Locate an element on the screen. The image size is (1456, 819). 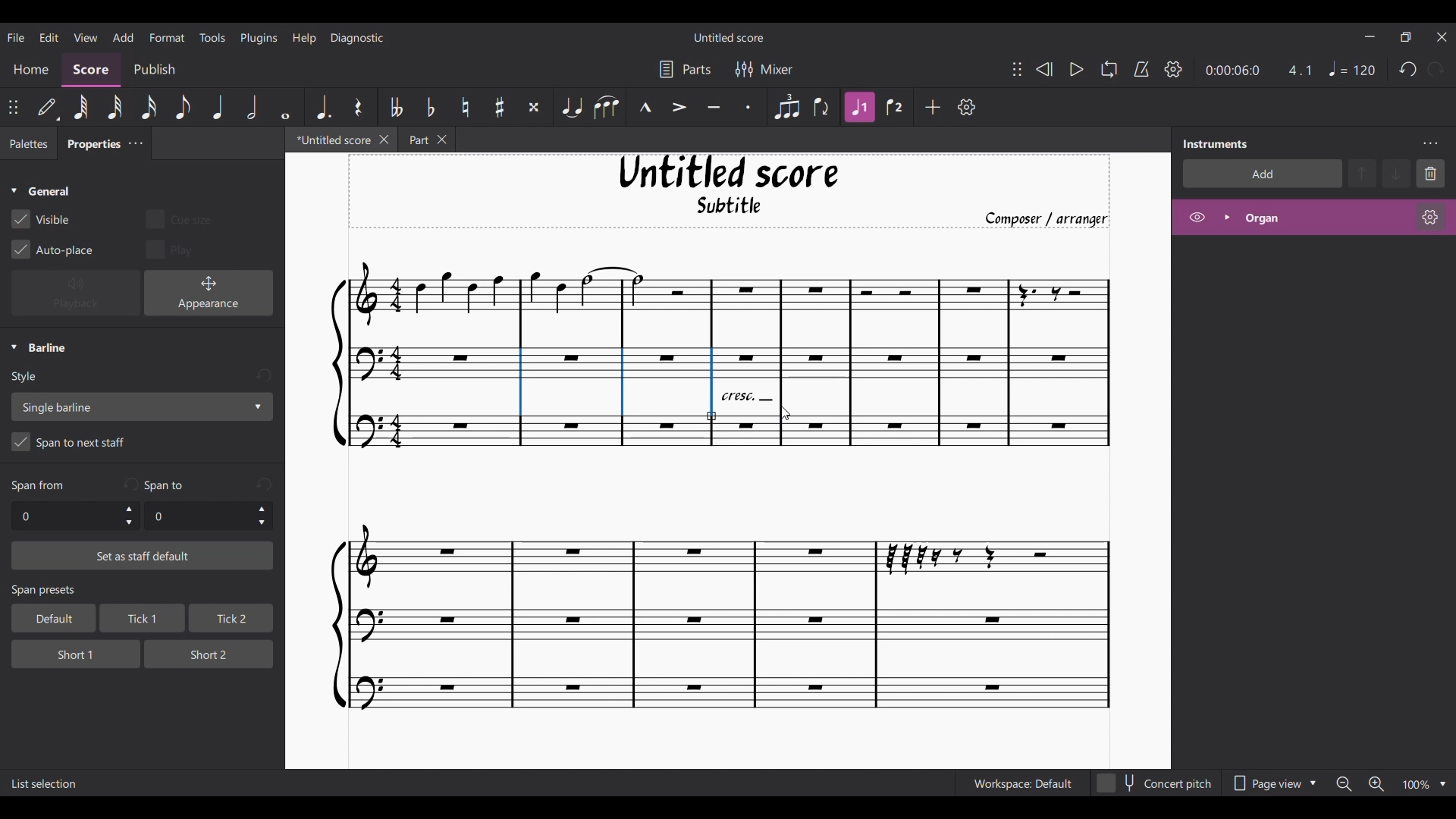
Tools menu is located at coordinates (212, 36).